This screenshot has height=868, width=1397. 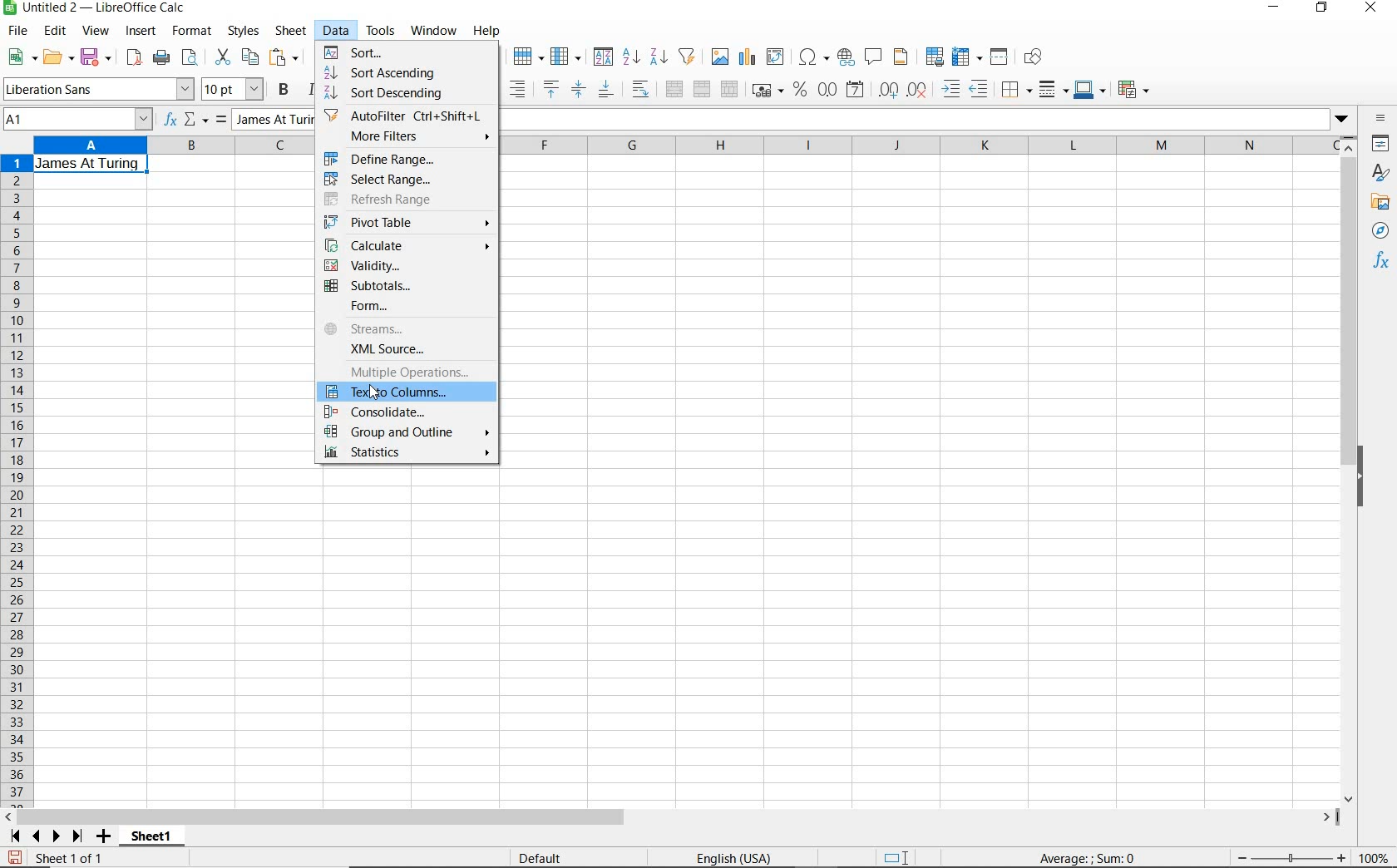 What do you see at coordinates (518, 91) in the screenshot?
I see `align right` at bounding box center [518, 91].